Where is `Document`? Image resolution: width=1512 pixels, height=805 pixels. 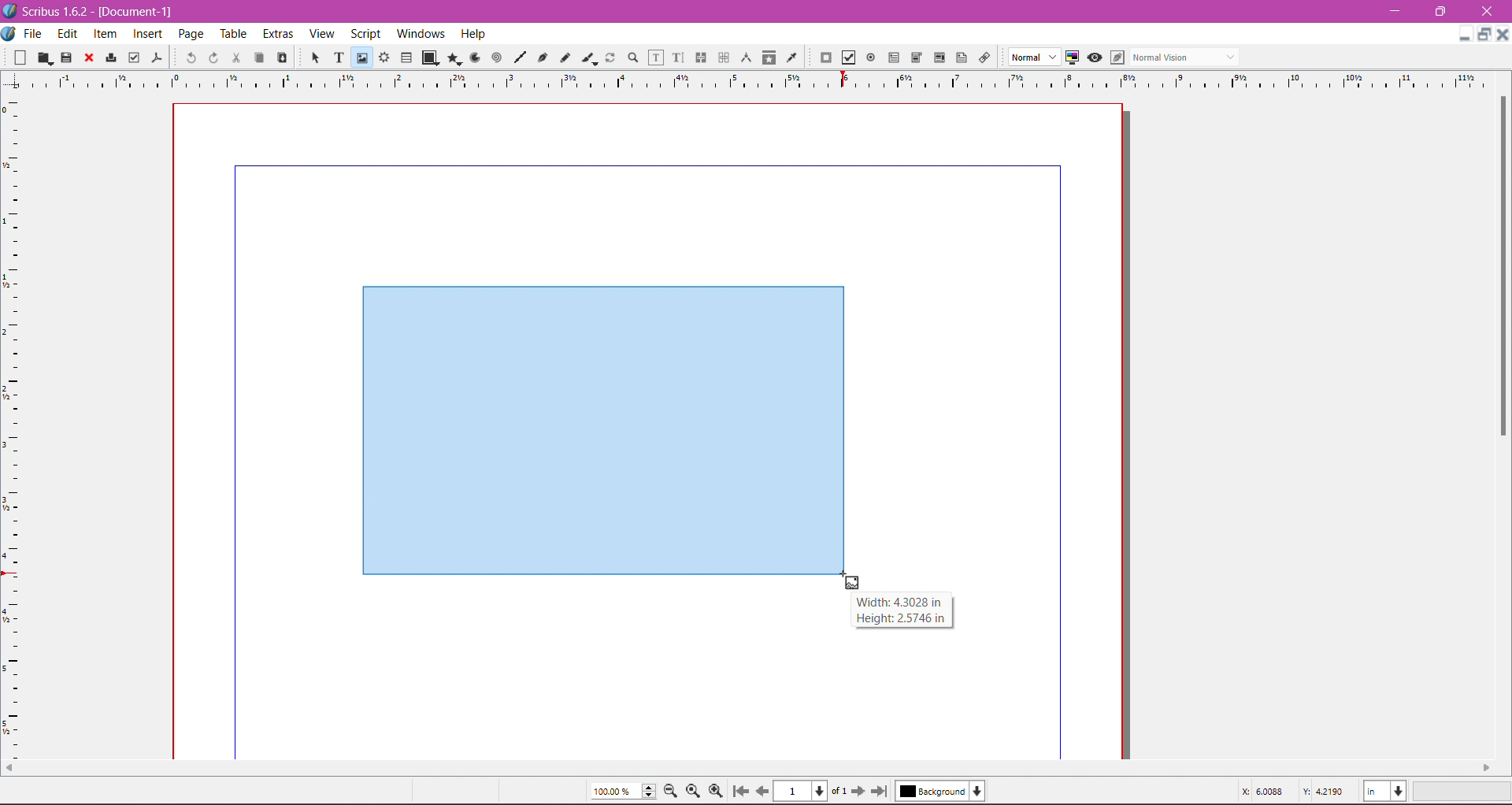
Document is located at coordinates (9, 35).